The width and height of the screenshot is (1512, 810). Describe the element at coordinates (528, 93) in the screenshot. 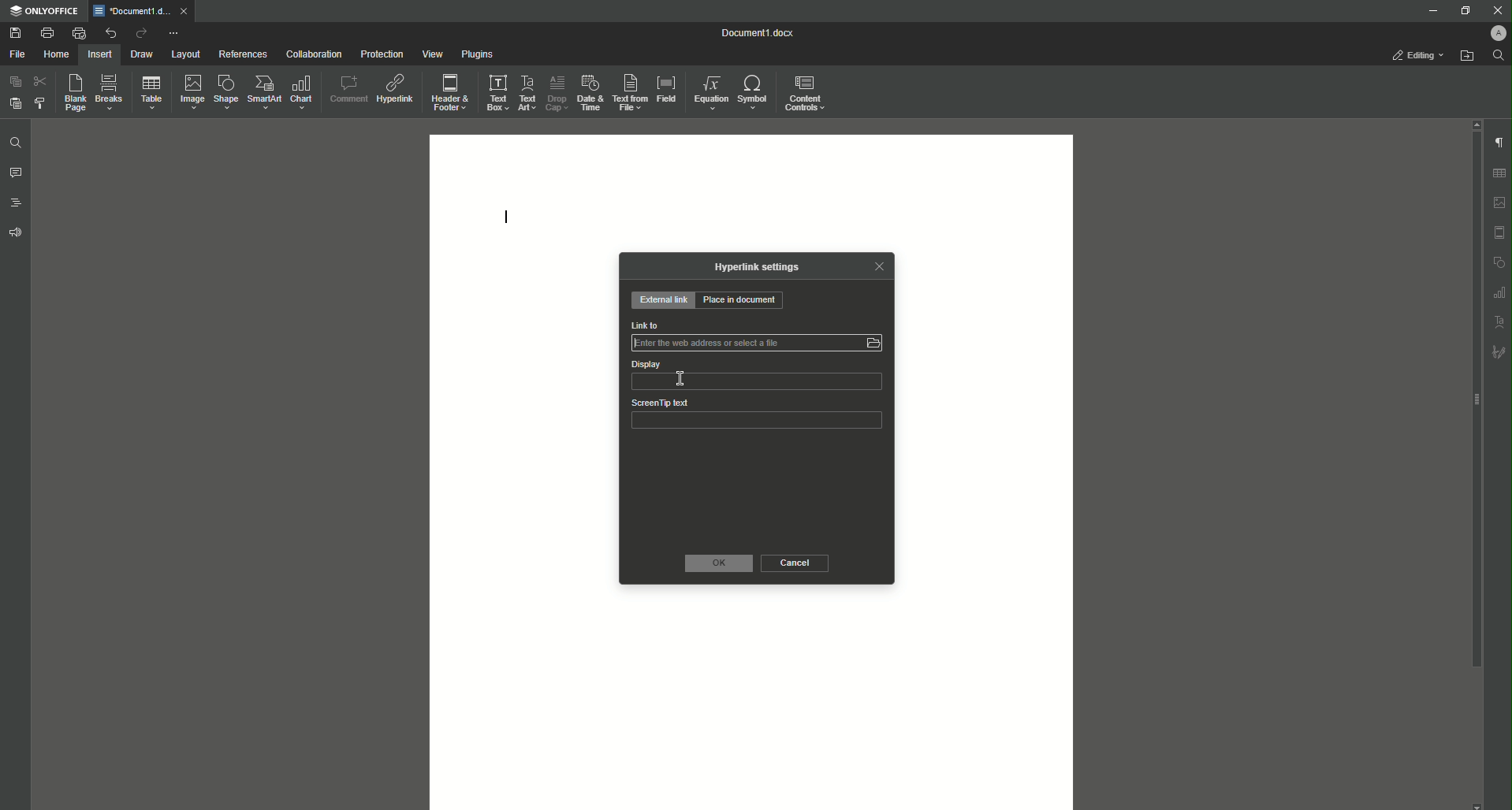

I see `Text Art` at that location.